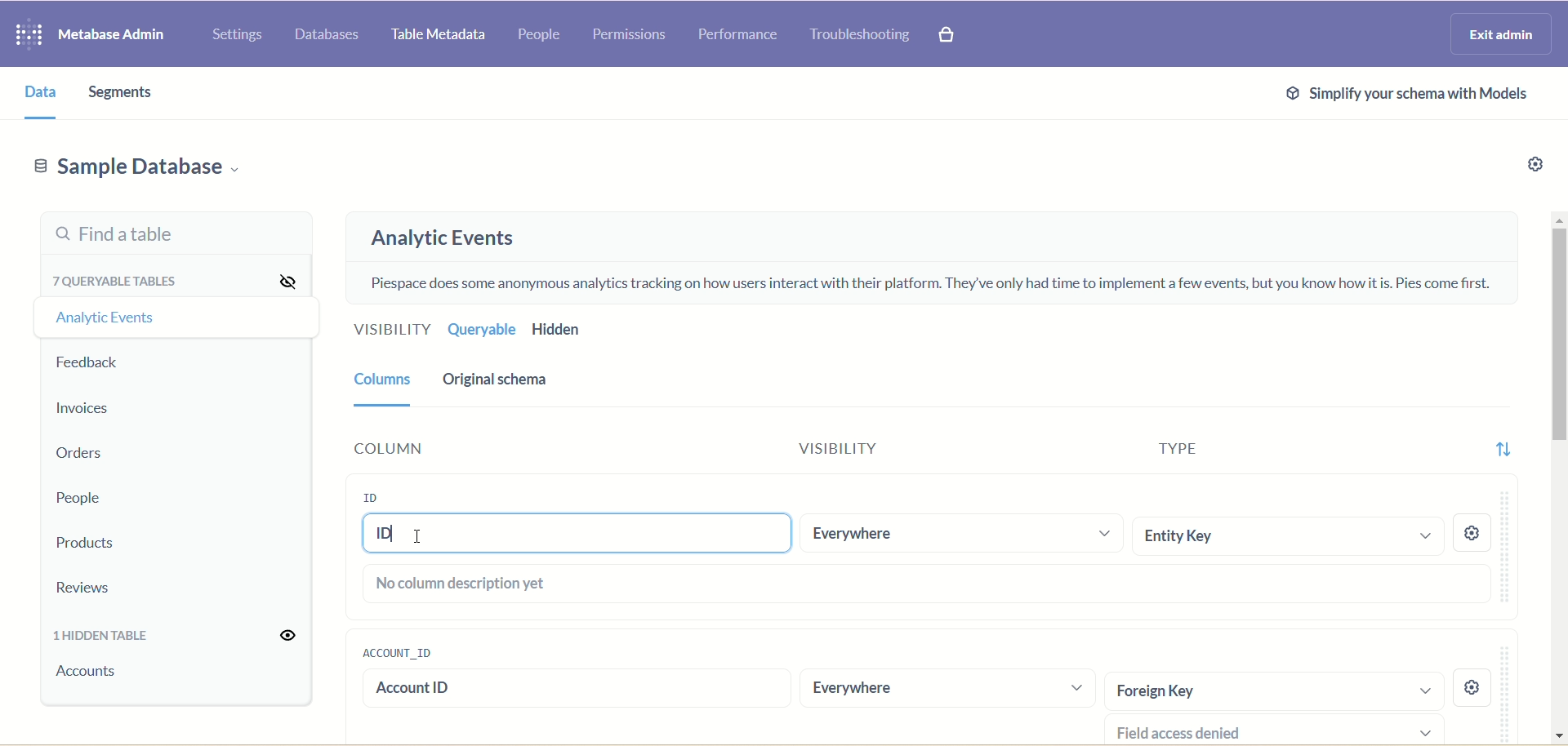 The image size is (1568, 746). What do you see at coordinates (1474, 690) in the screenshot?
I see `settings` at bounding box center [1474, 690].